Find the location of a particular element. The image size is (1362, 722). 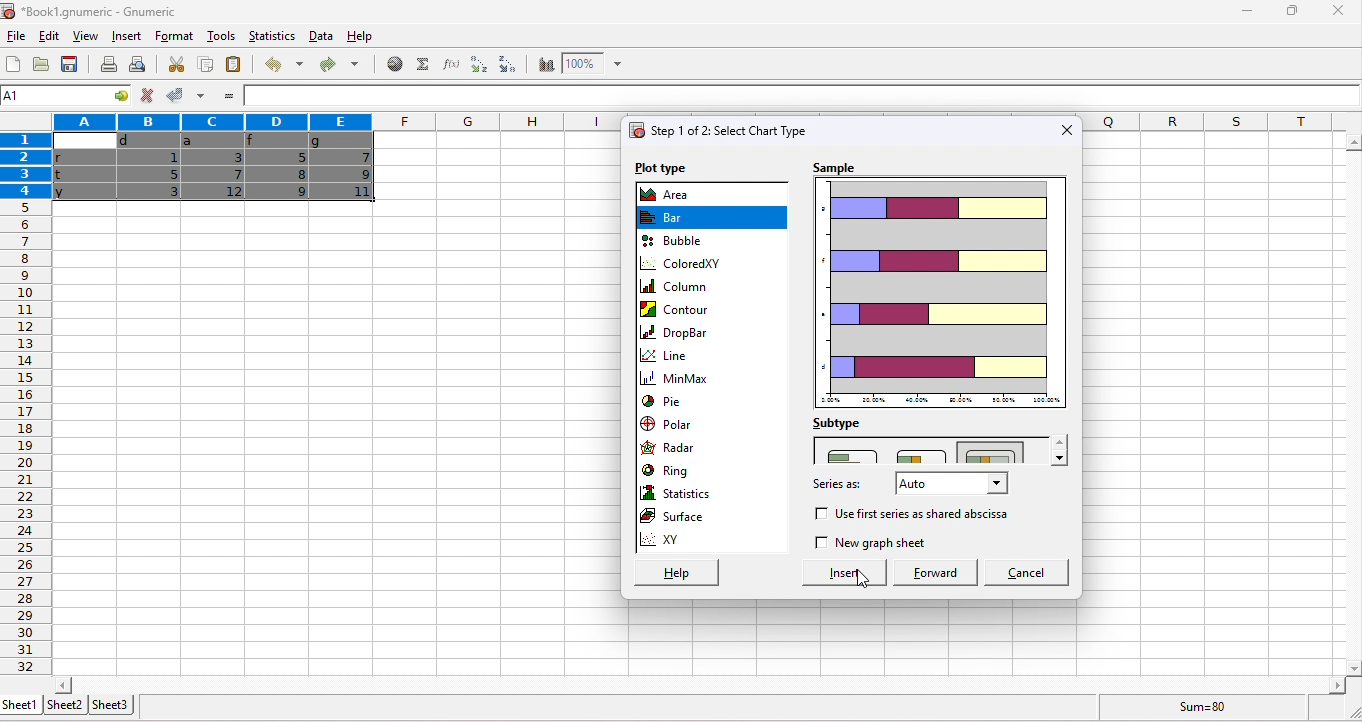

sheet3 is located at coordinates (113, 704).